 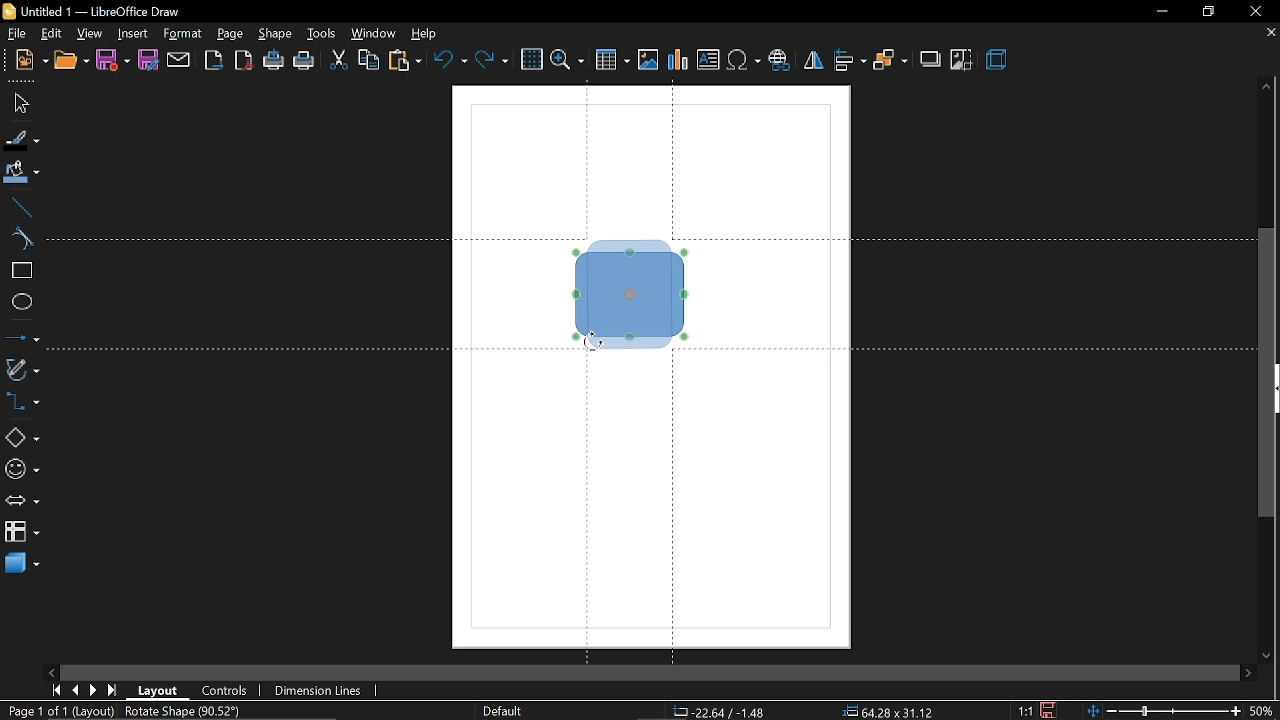 What do you see at coordinates (492, 62) in the screenshot?
I see `redo` at bounding box center [492, 62].